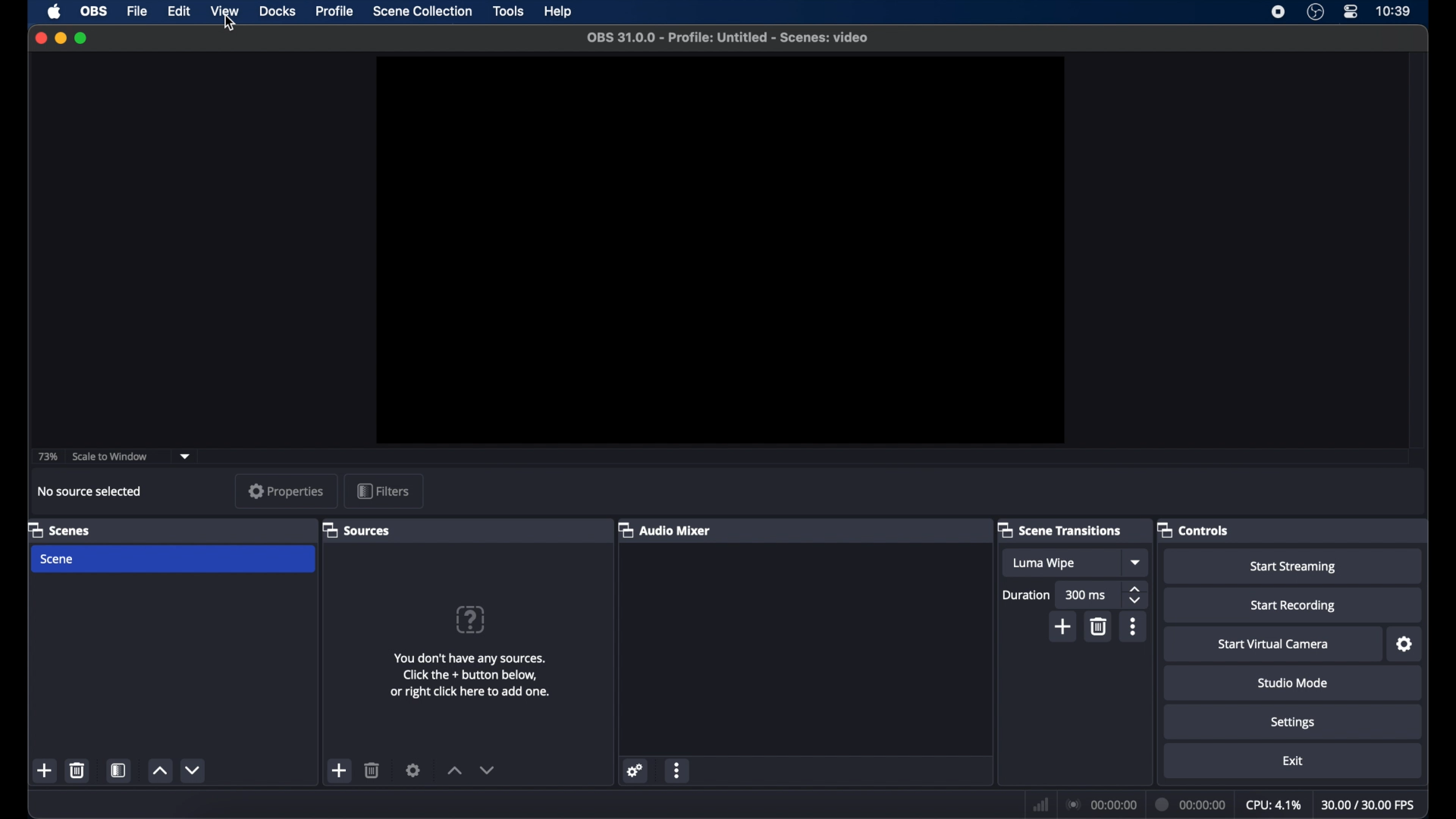 The width and height of the screenshot is (1456, 819). Describe the element at coordinates (192, 770) in the screenshot. I see `decrement` at that location.